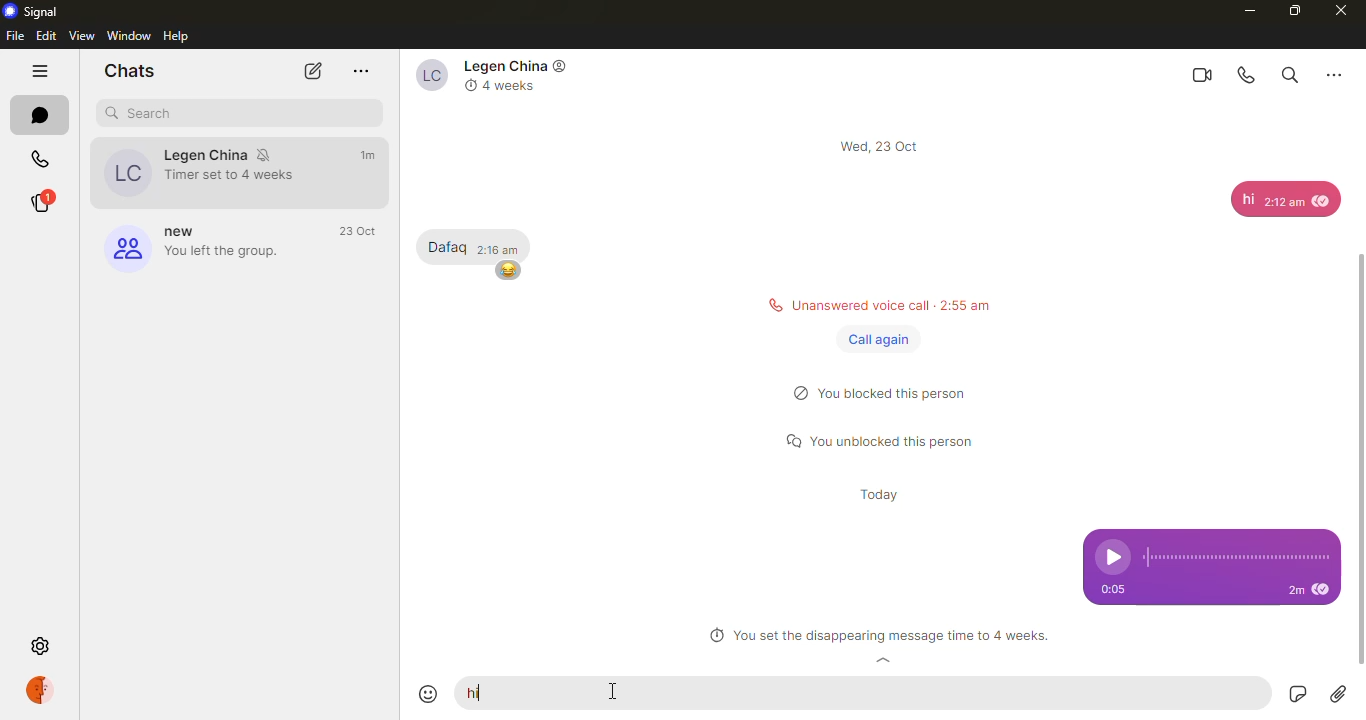  I want to click on cursor, so click(616, 697).